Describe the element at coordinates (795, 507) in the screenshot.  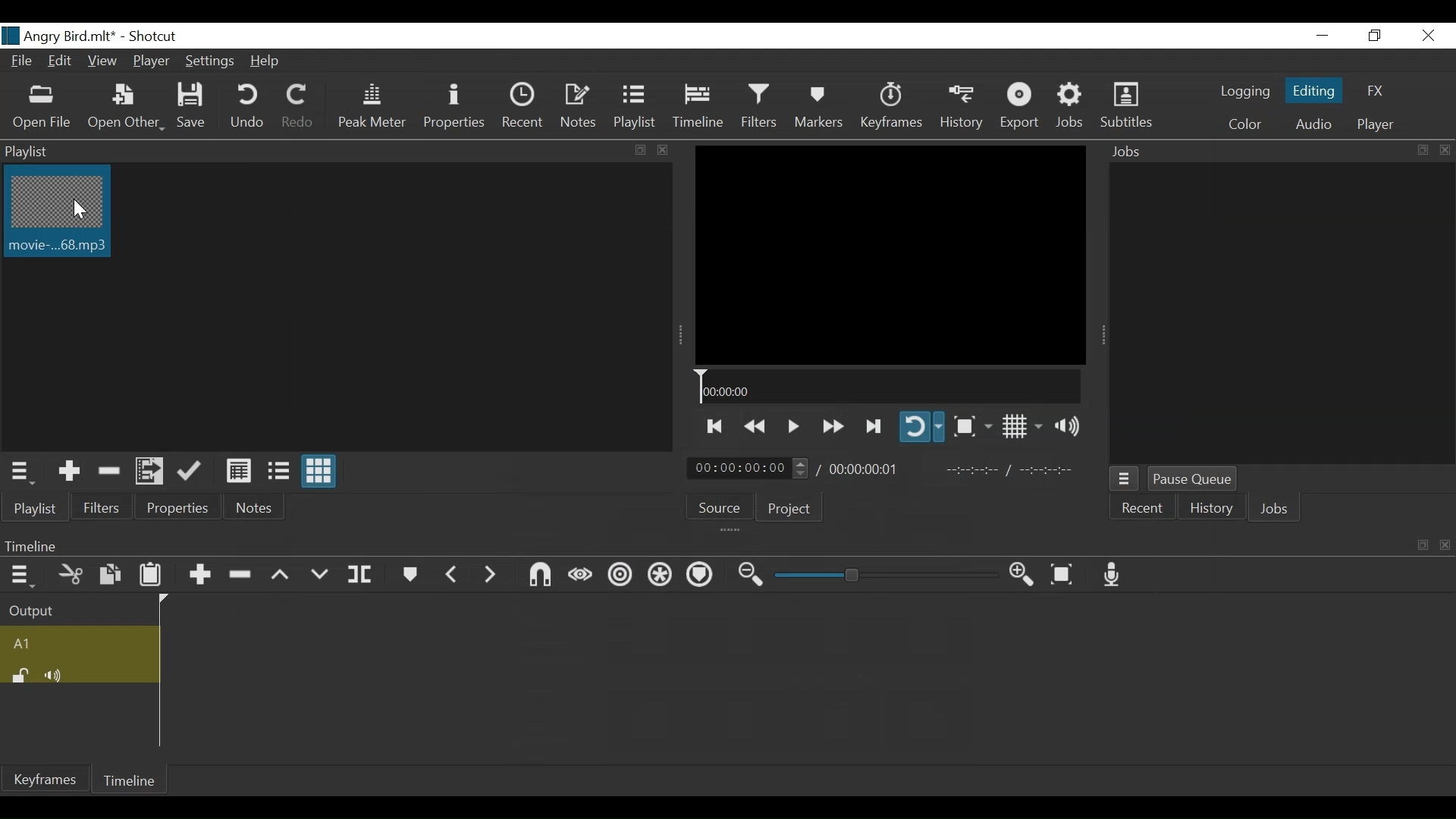
I see `Project` at that location.